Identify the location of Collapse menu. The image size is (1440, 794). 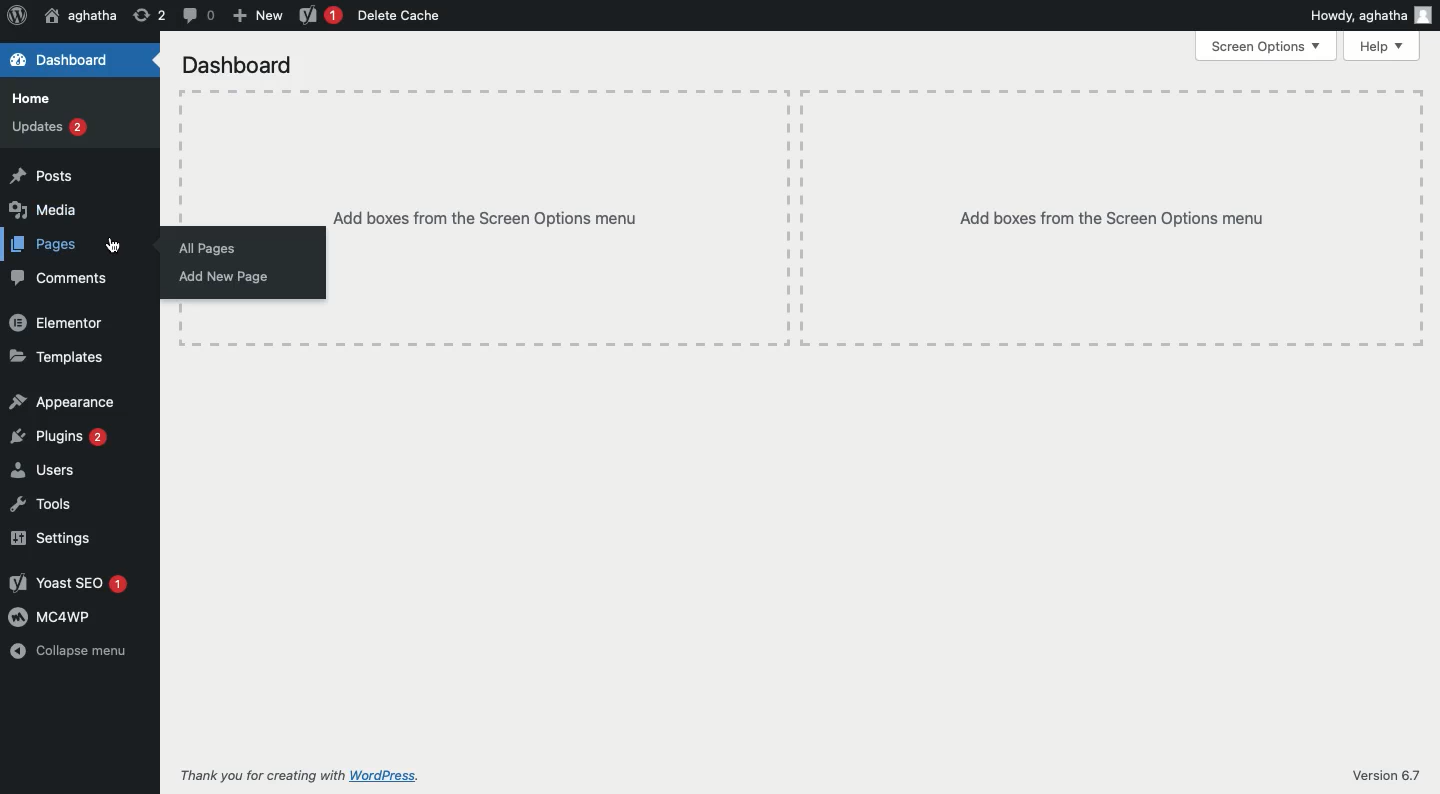
(67, 652).